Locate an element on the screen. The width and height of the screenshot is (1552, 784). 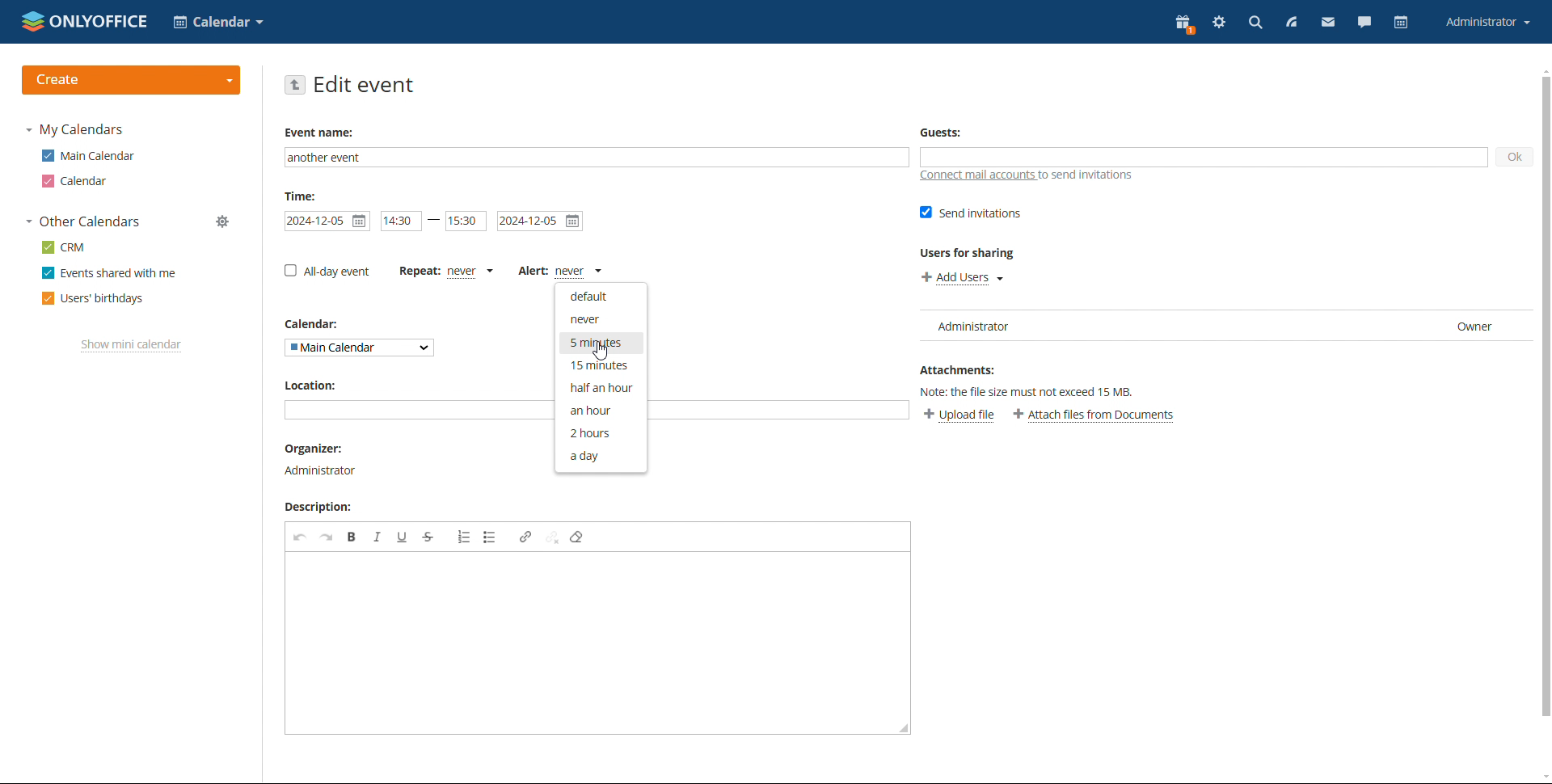
crm is located at coordinates (62, 247).